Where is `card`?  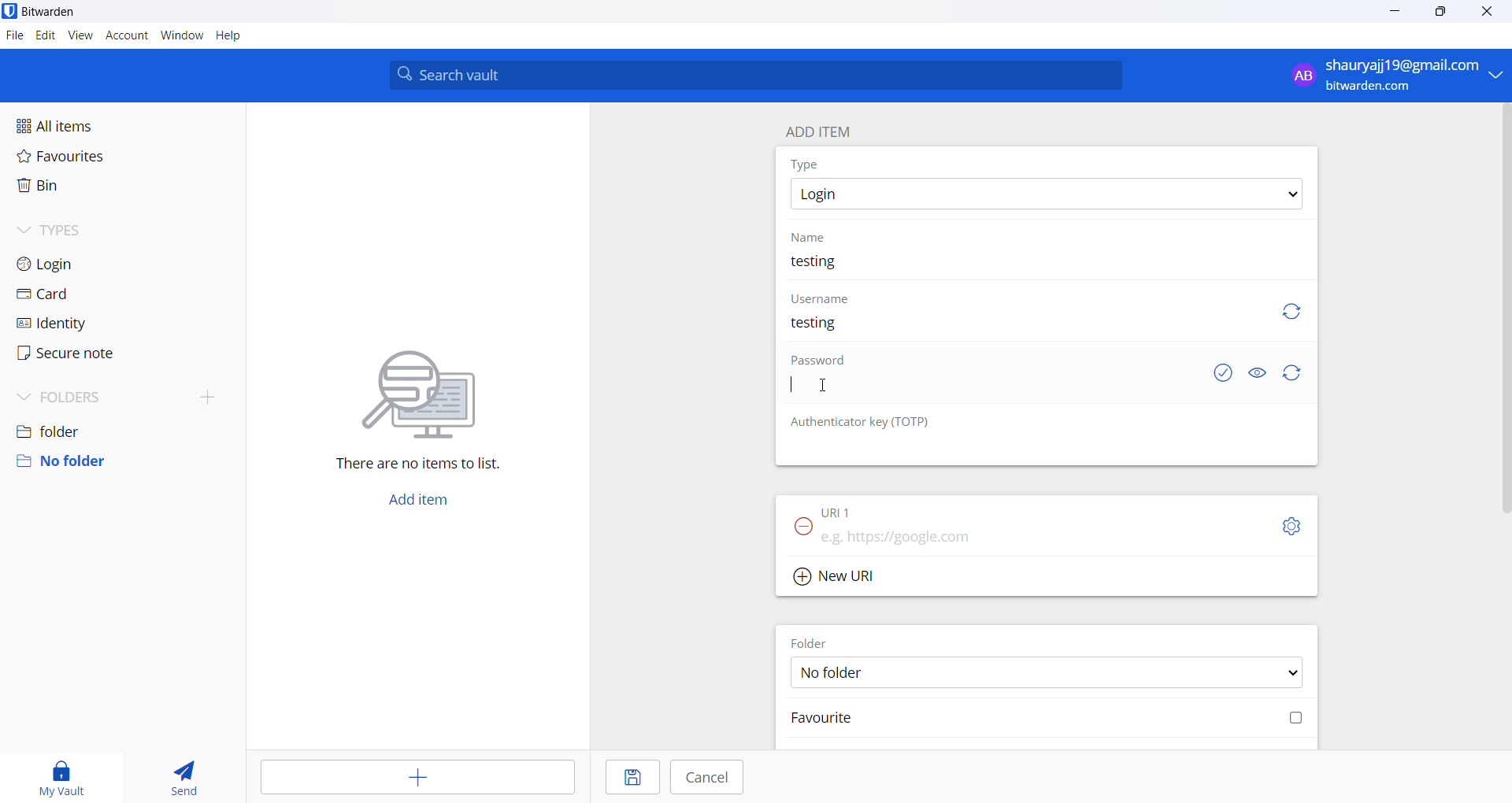
card is located at coordinates (82, 294).